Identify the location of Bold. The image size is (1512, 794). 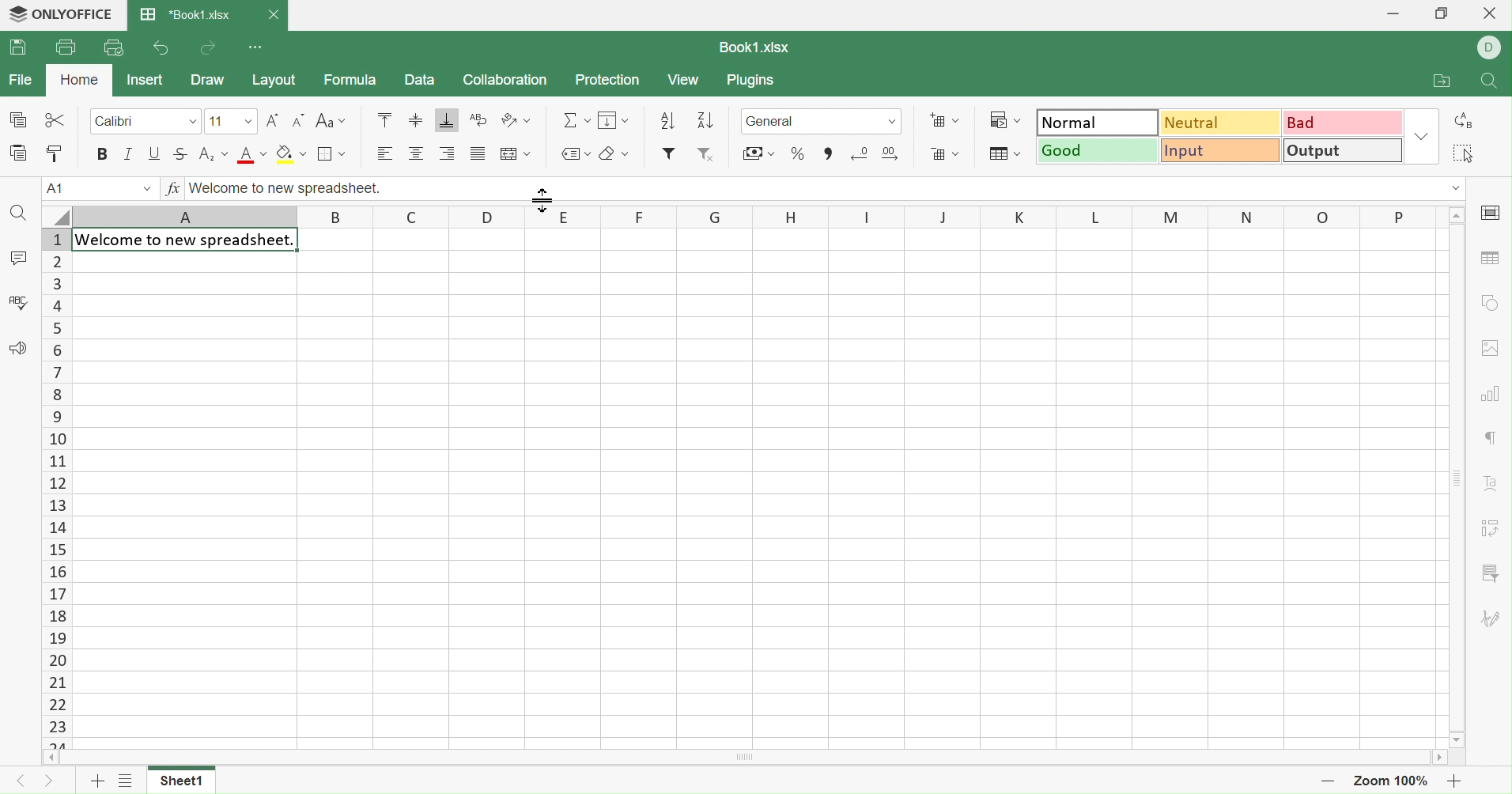
(103, 153).